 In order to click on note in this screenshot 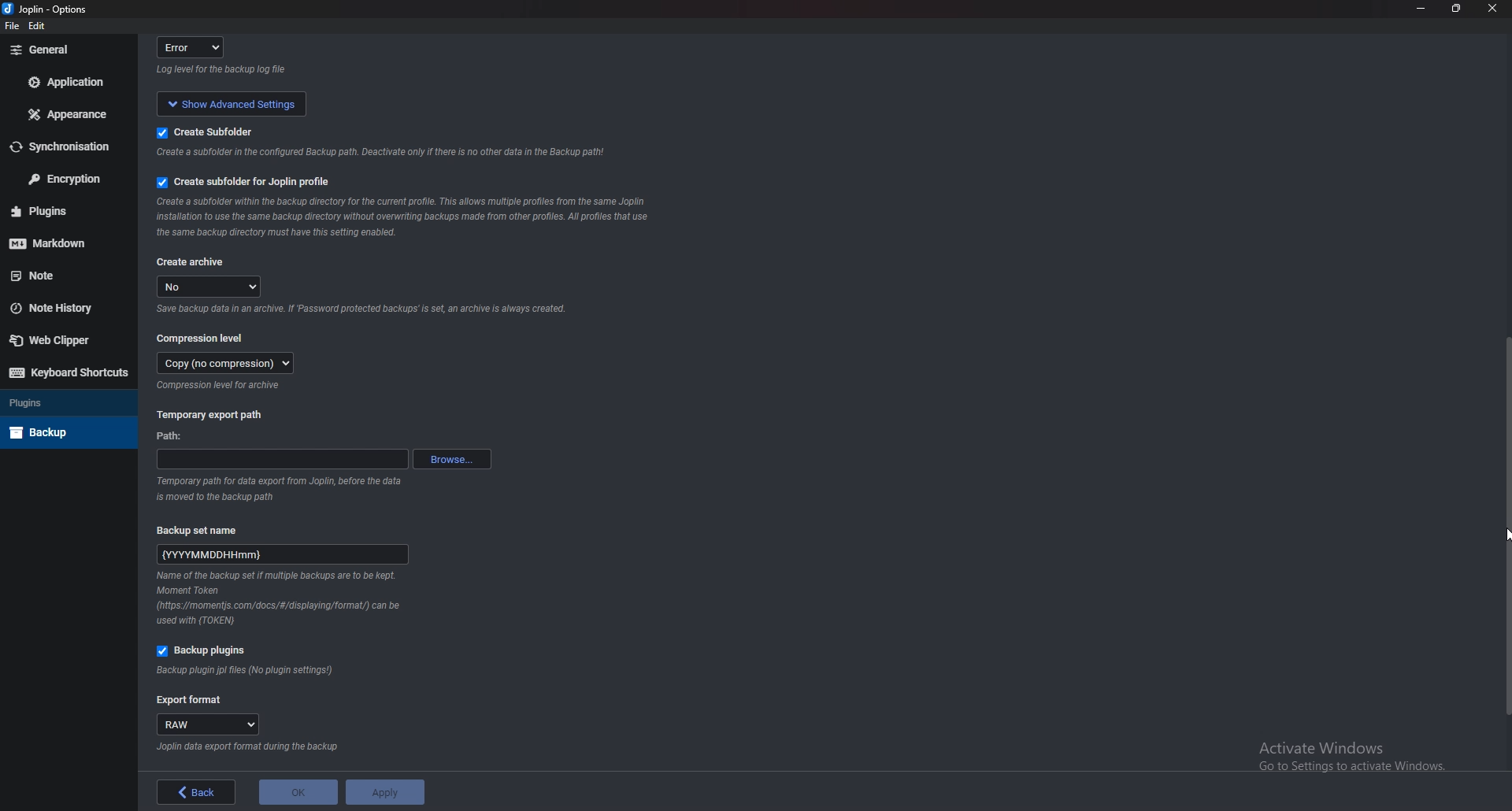, I will do `click(65, 275)`.